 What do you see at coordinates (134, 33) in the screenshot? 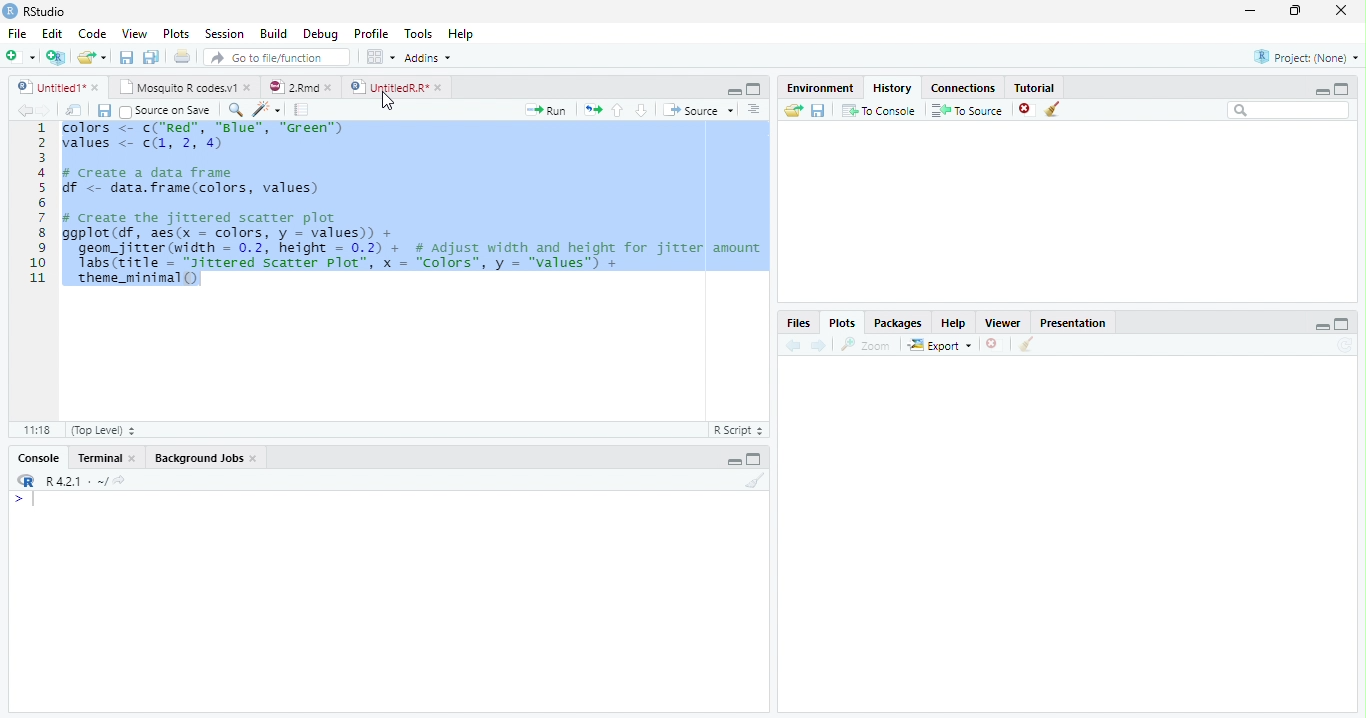
I see `View` at bounding box center [134, 33].